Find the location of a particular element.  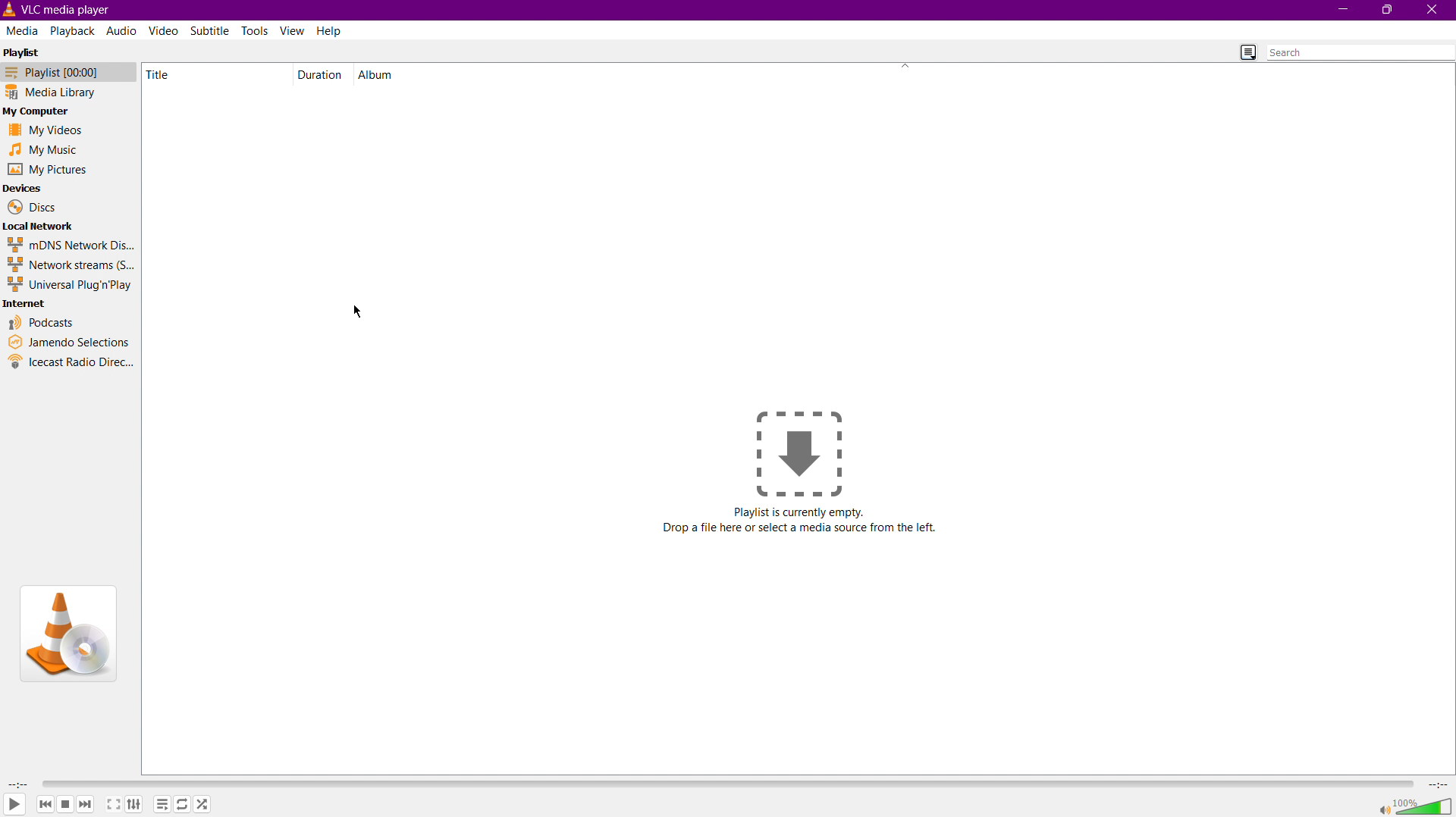

Media is located at coordinates (24, 30).